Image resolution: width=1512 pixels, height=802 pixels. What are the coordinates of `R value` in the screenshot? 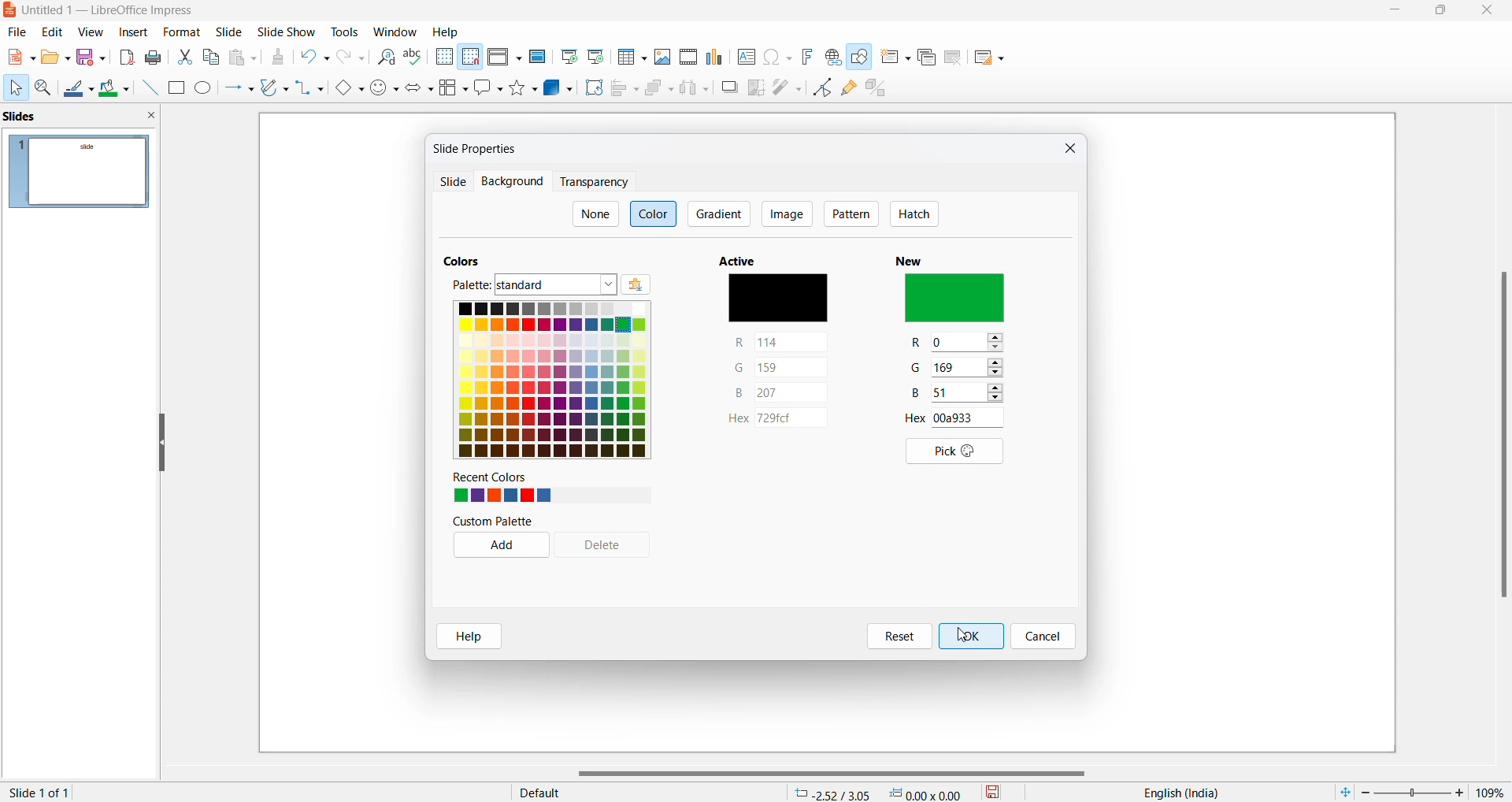 It's located at (919, 344).